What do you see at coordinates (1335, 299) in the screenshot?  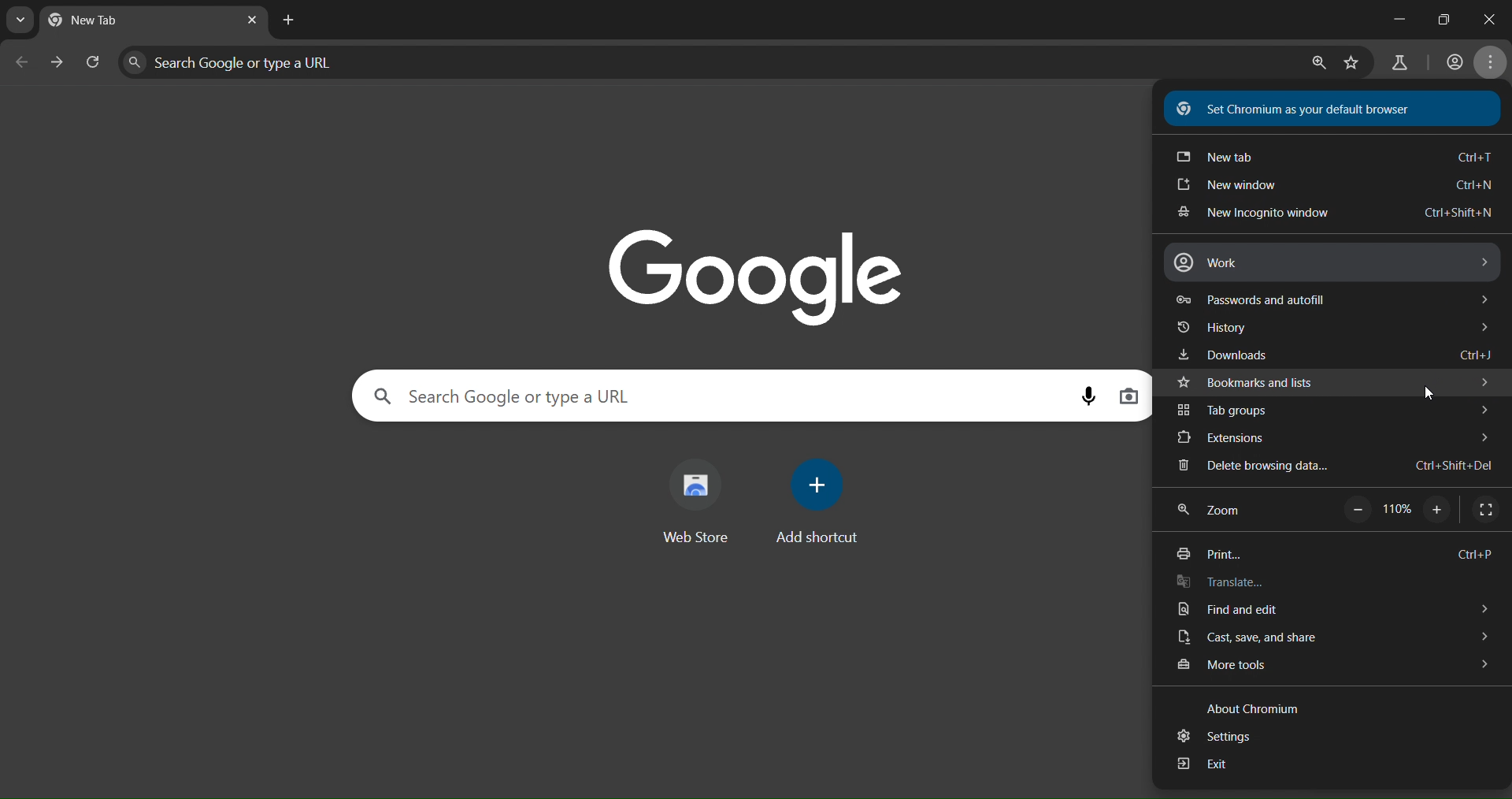 I see `passwords and autofill` at bounding box center [1335, 299].